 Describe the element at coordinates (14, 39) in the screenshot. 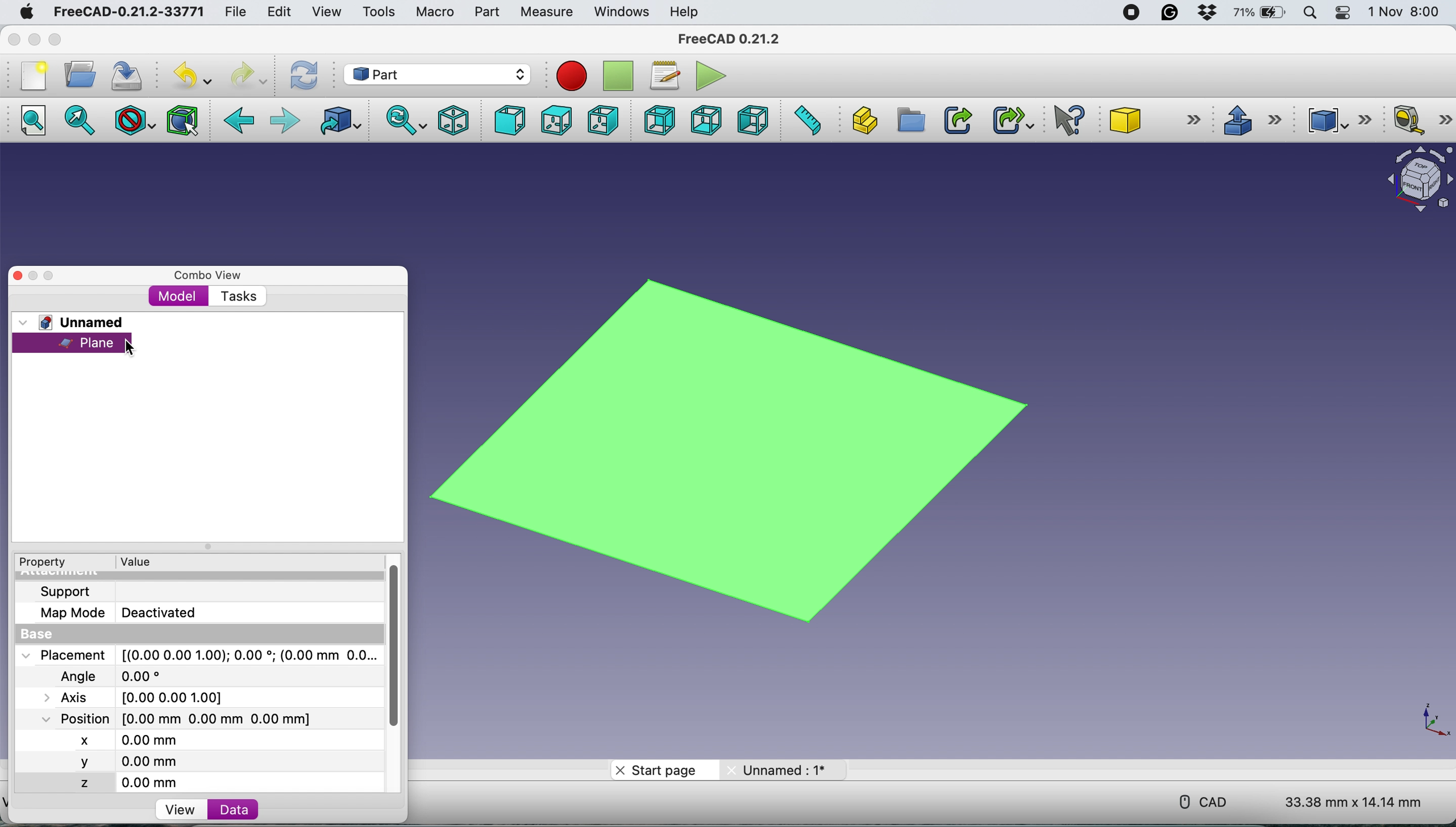

I see `close` at that location.